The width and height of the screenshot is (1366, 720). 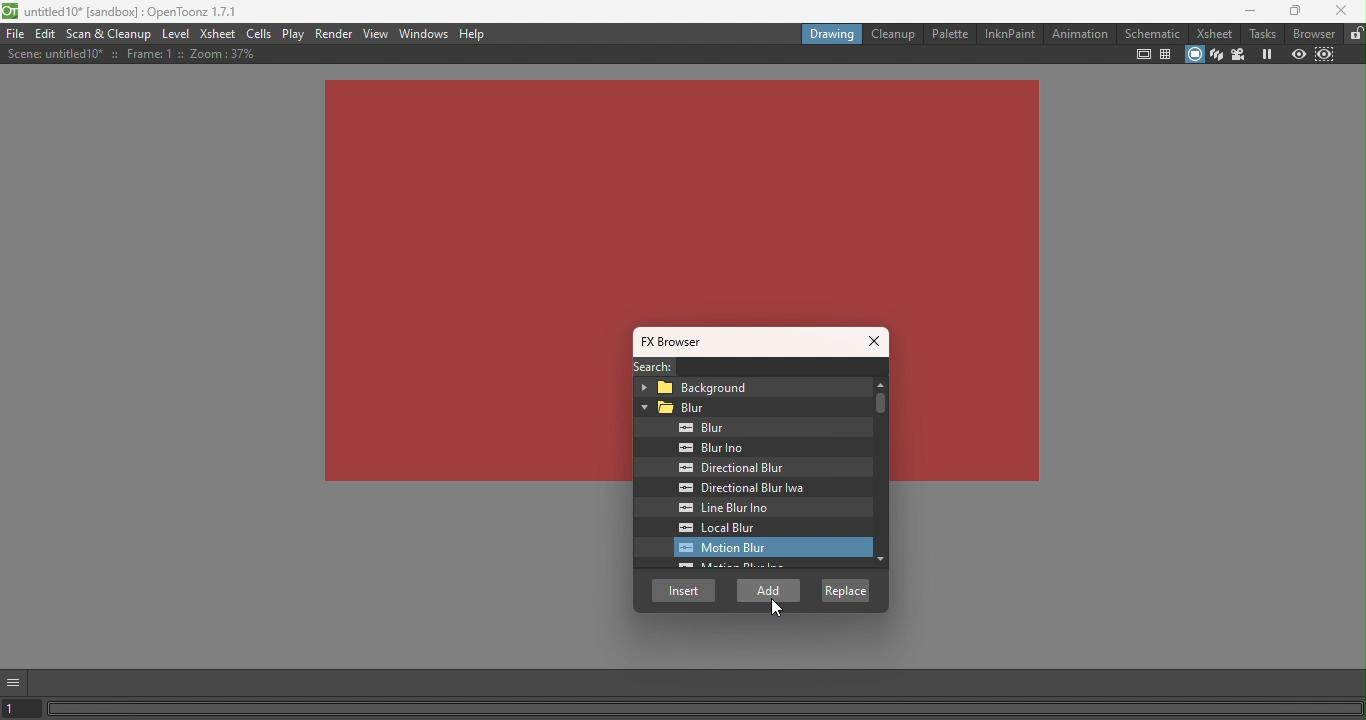 I want to click on Camera stand view, so click(x=1193, y=56).